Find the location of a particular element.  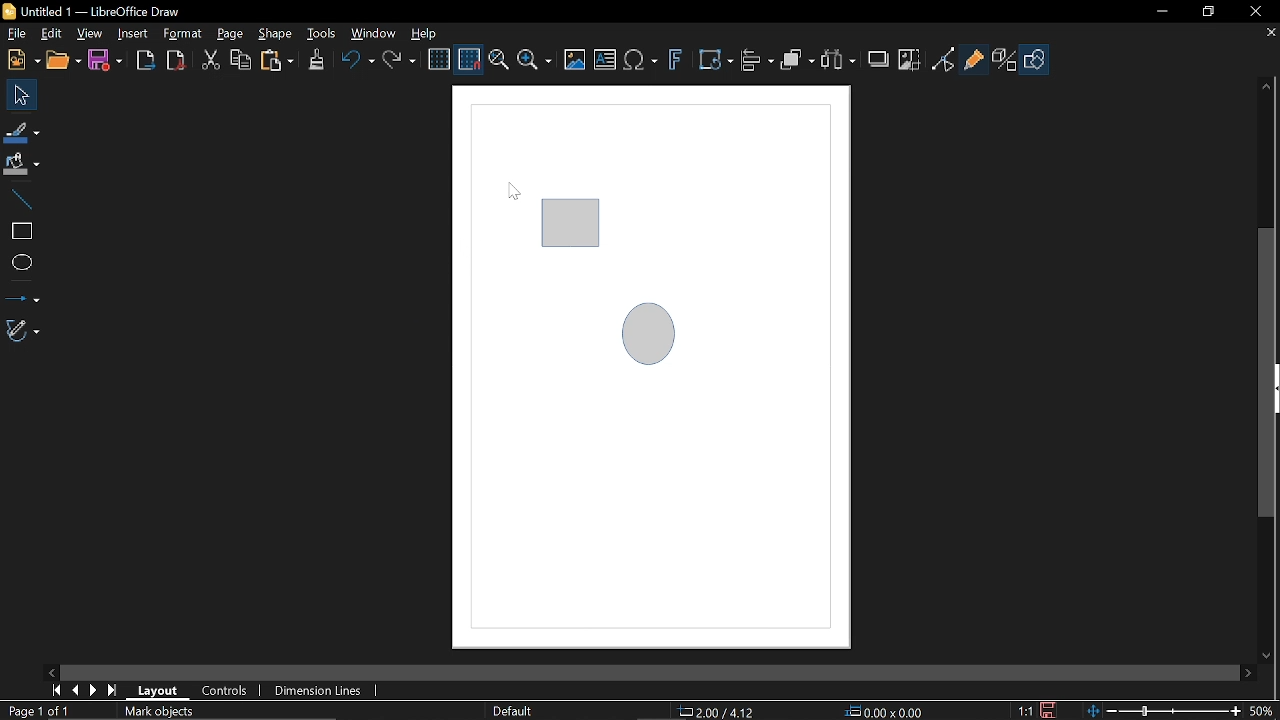

Insert equation is located at coordinates (643, 60).